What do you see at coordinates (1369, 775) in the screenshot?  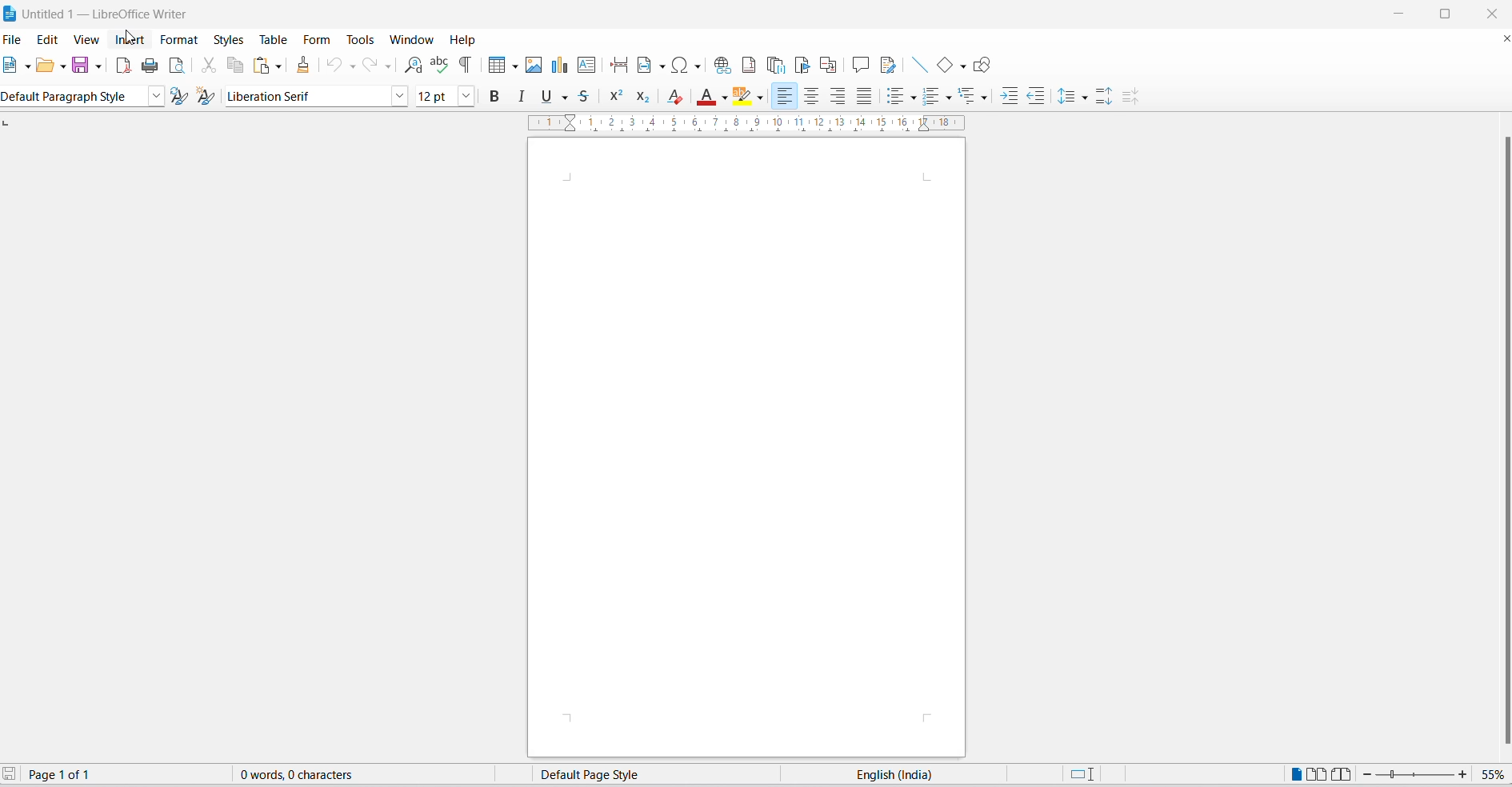 I see `decrease zoom` at bounding box center [1369, 775].